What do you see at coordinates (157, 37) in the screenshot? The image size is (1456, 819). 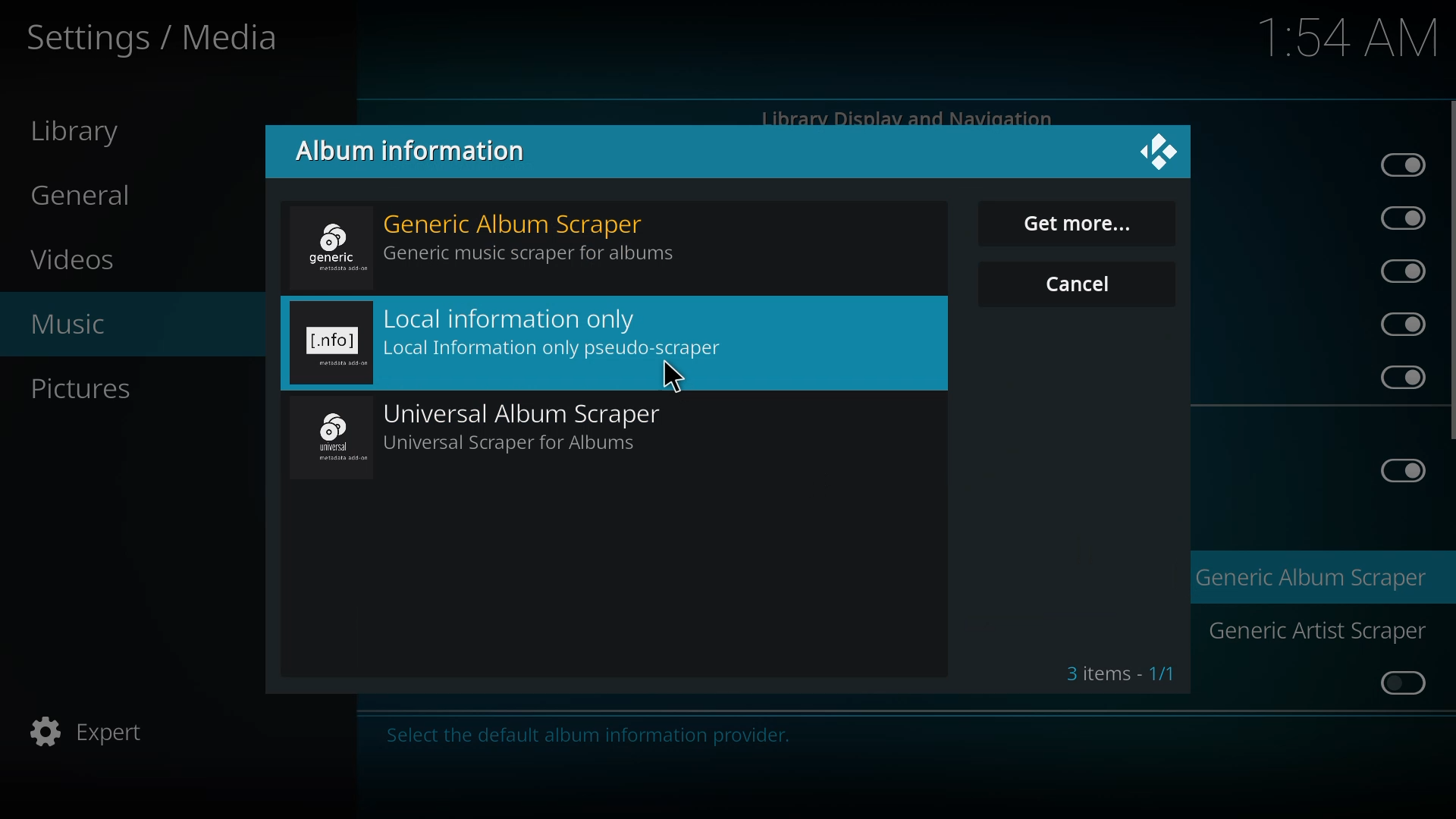 I see `settings media` at bounding box center [157, 37].